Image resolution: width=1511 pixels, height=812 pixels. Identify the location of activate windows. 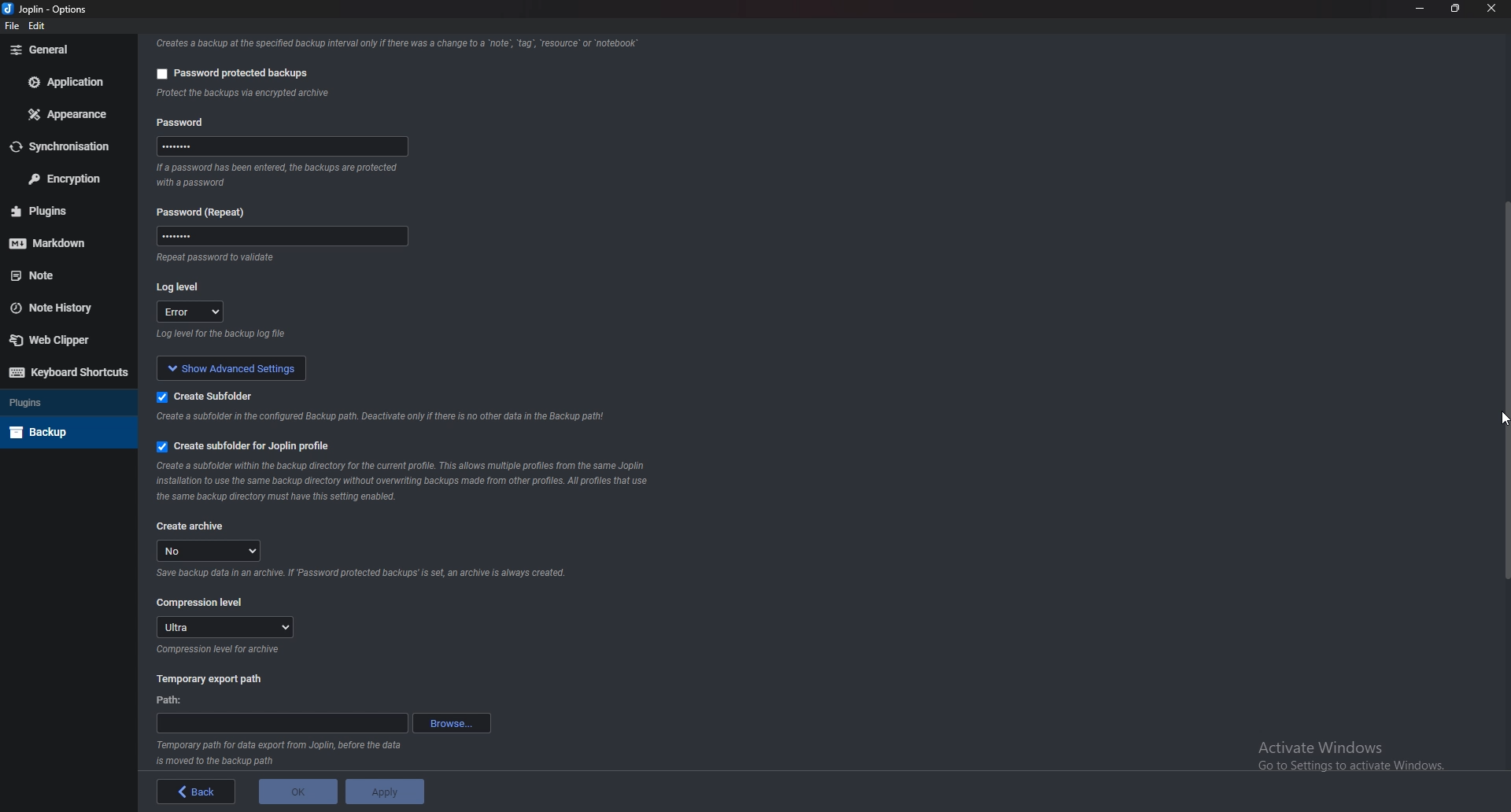
(1362, 752).